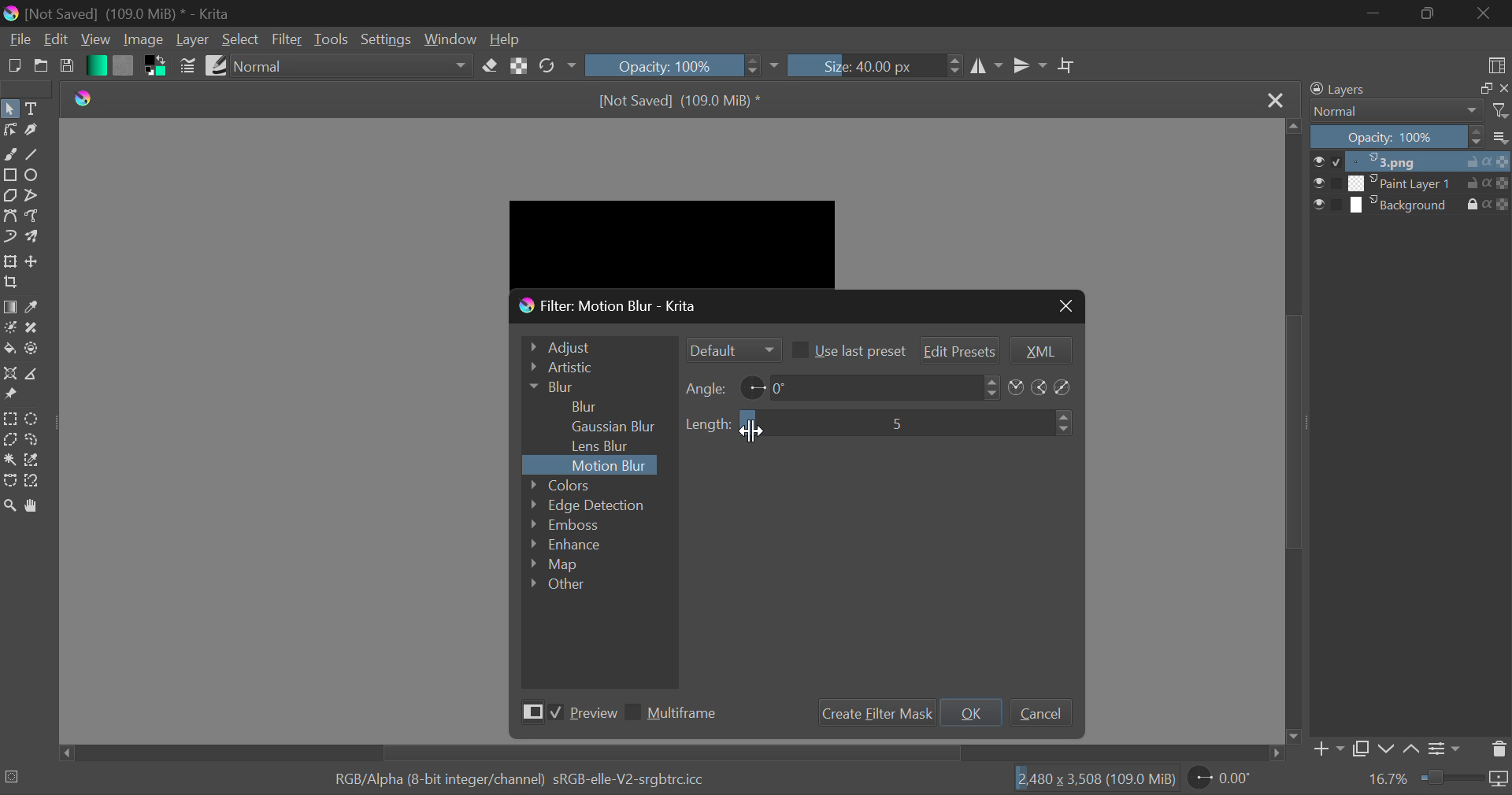 The image size is (1512, 795). Describe the element at coordinates (895, 422) in the screenshot. I see `5` at that location.